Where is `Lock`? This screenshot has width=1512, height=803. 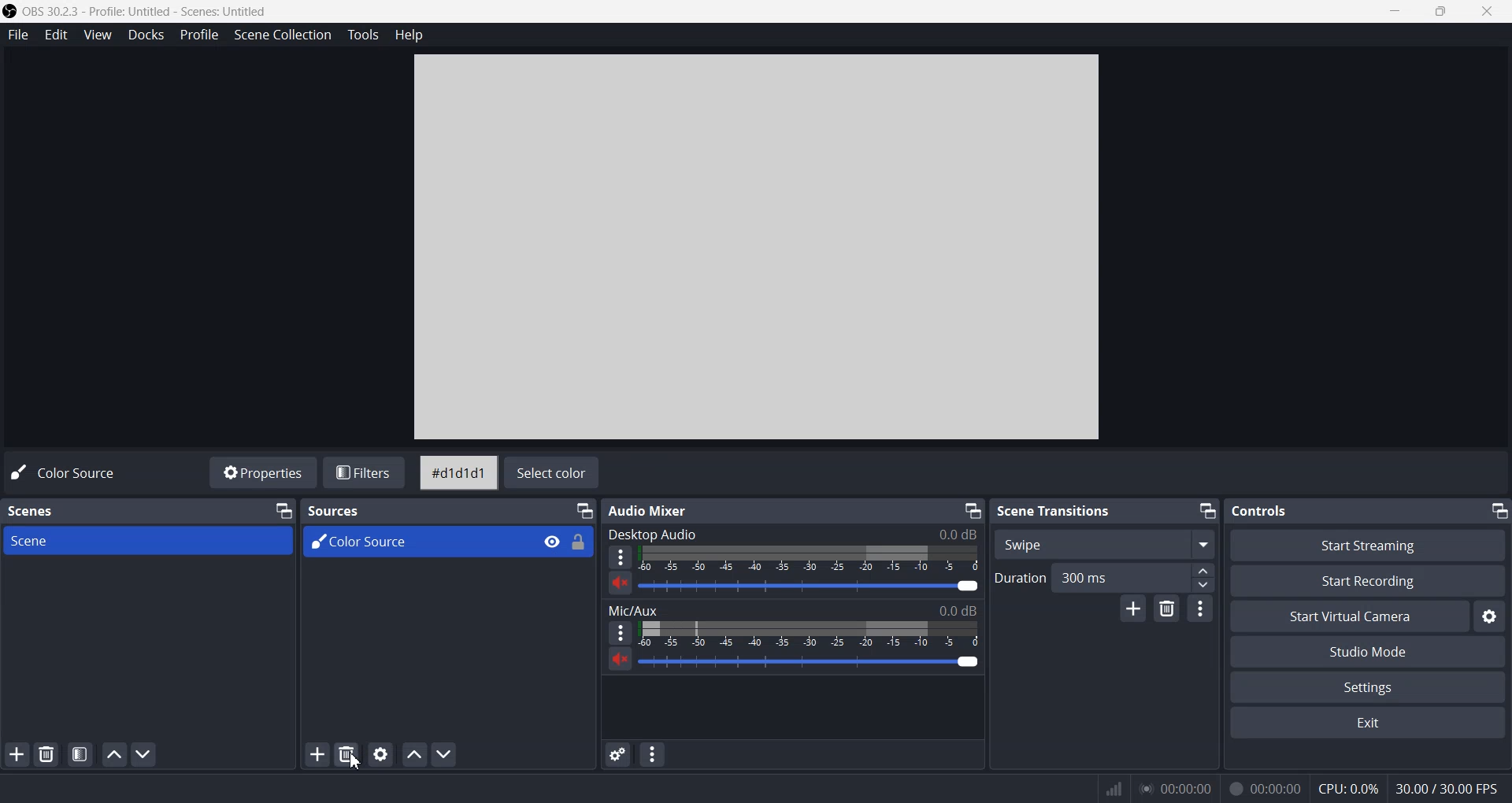
Lock is located at coordinates (580, 542).